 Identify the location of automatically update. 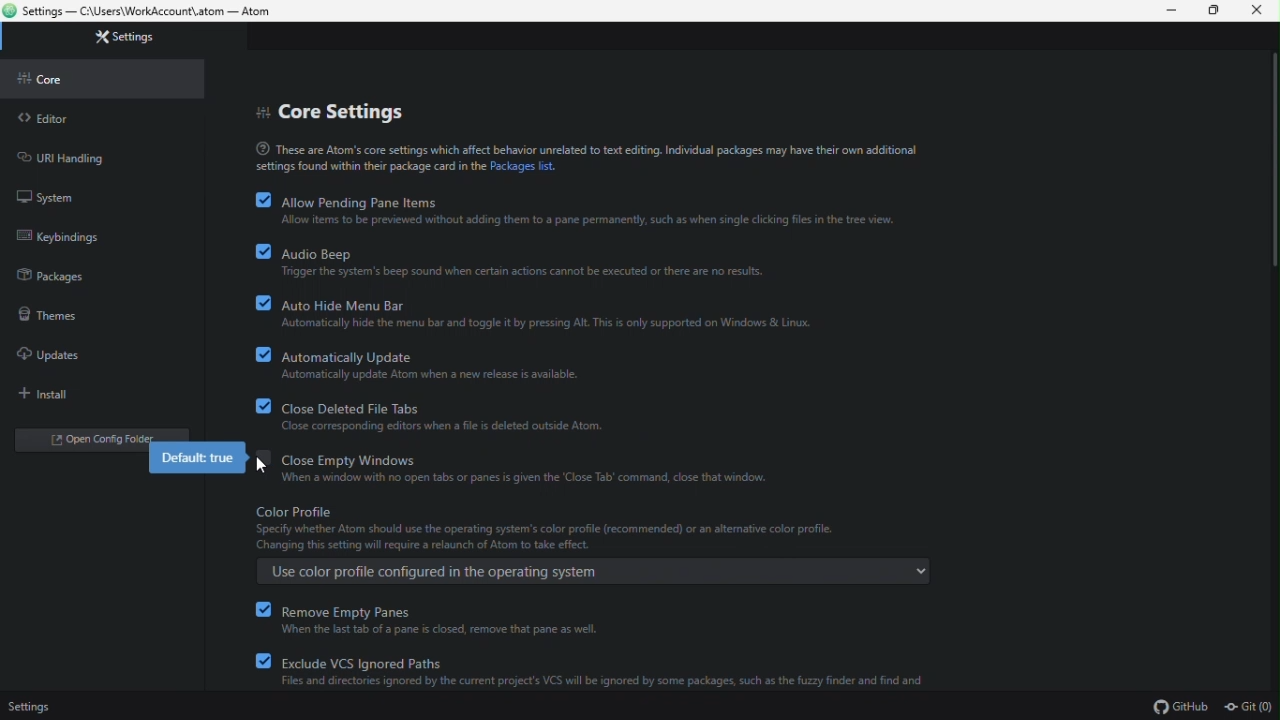
(435, 364).